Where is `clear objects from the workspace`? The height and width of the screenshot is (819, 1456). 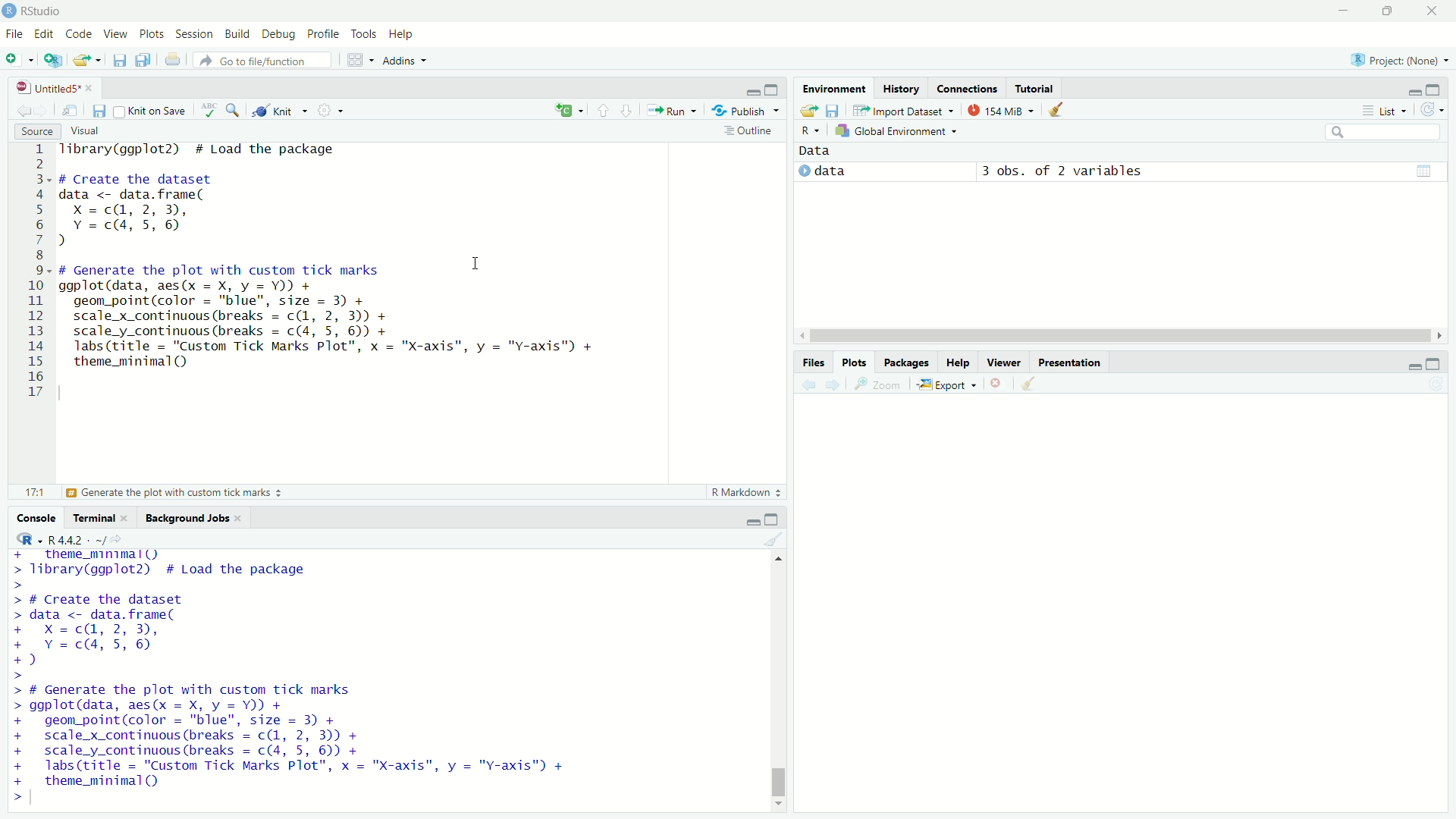
clear objects from the workspace is located at coordinates (1063, 111).